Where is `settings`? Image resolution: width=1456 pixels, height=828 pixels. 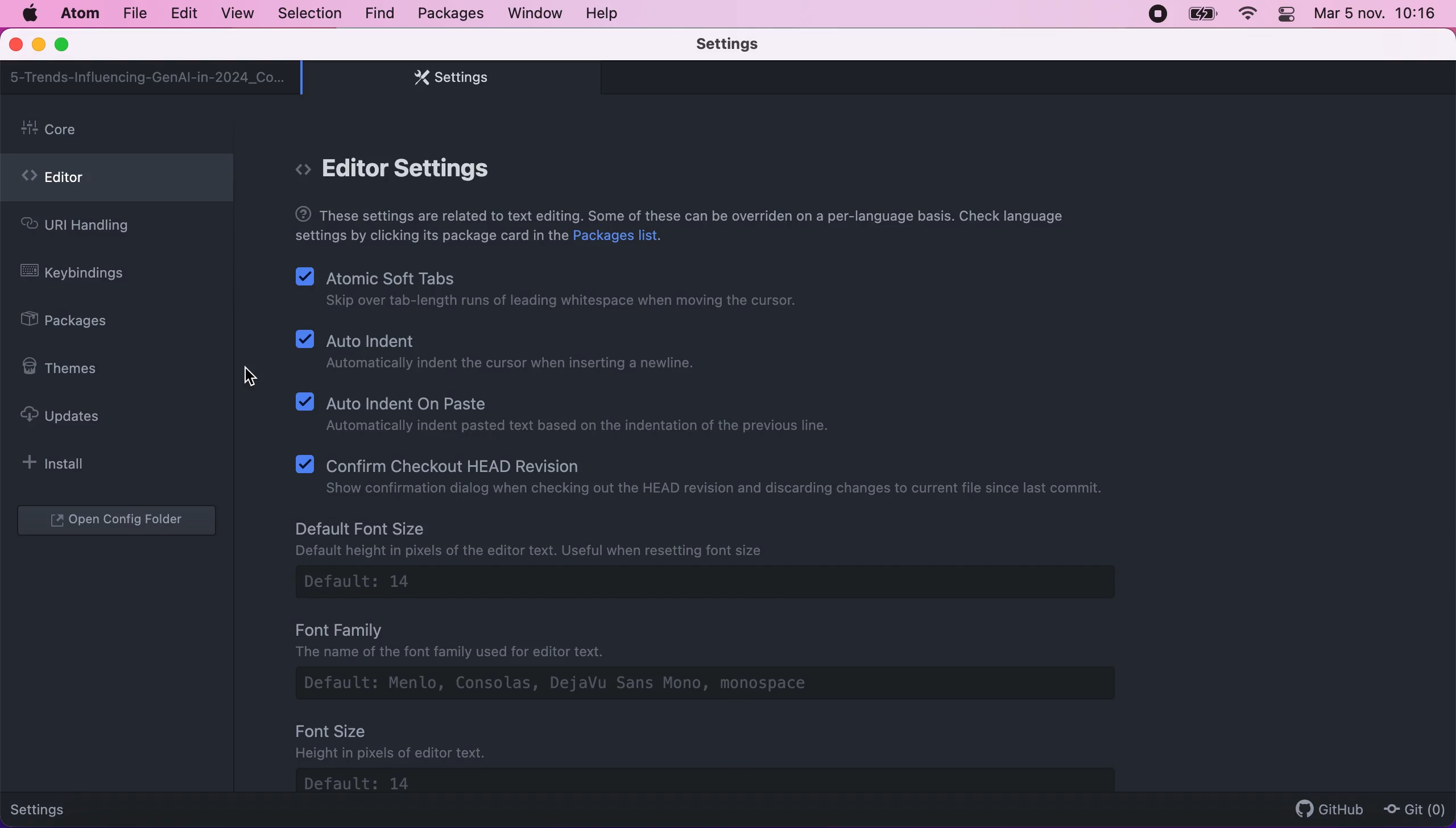 settings is located at coordinates (744, 45).